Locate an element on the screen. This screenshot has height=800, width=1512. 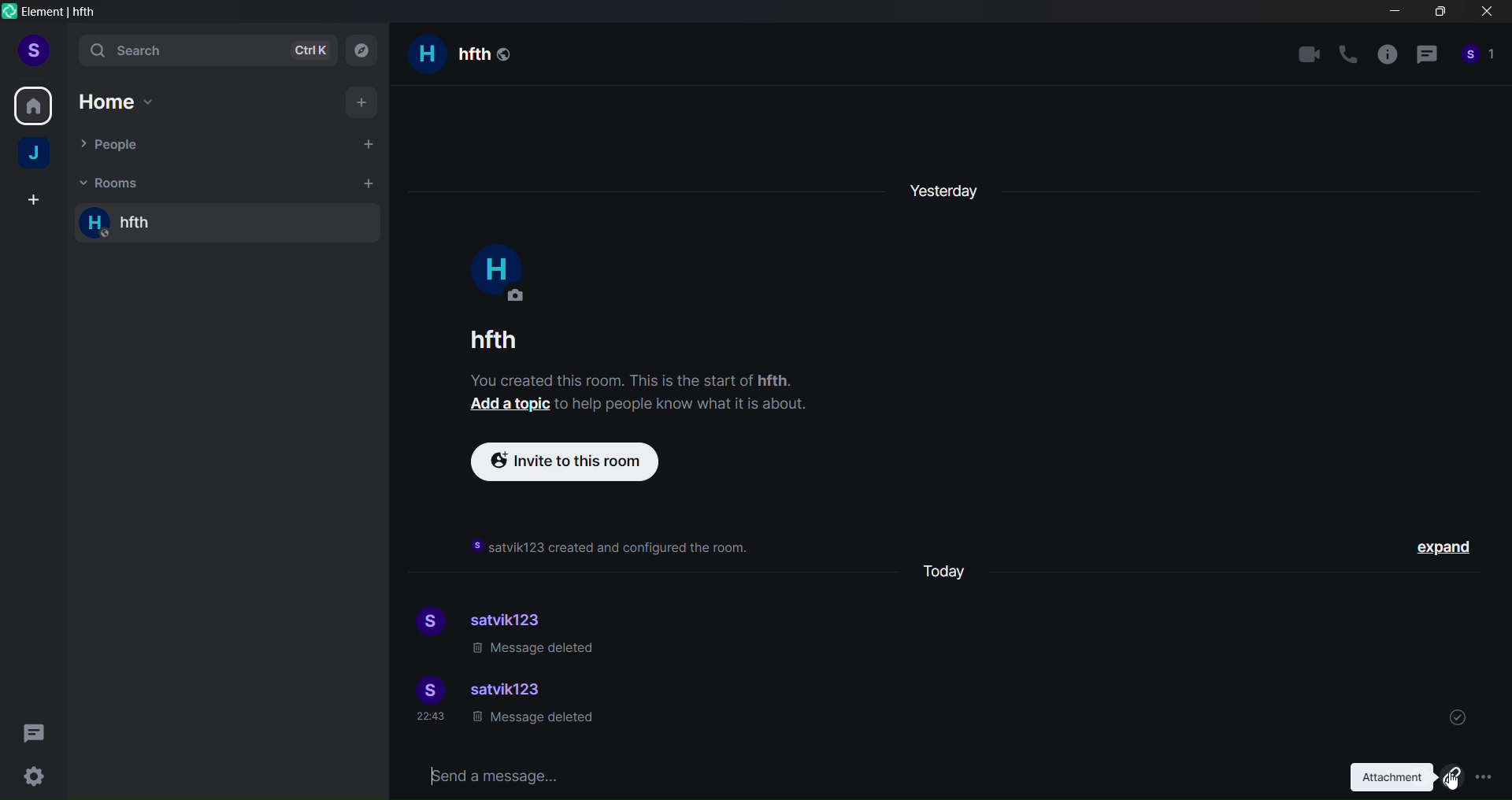
home options is located at coordinates (128, 102).